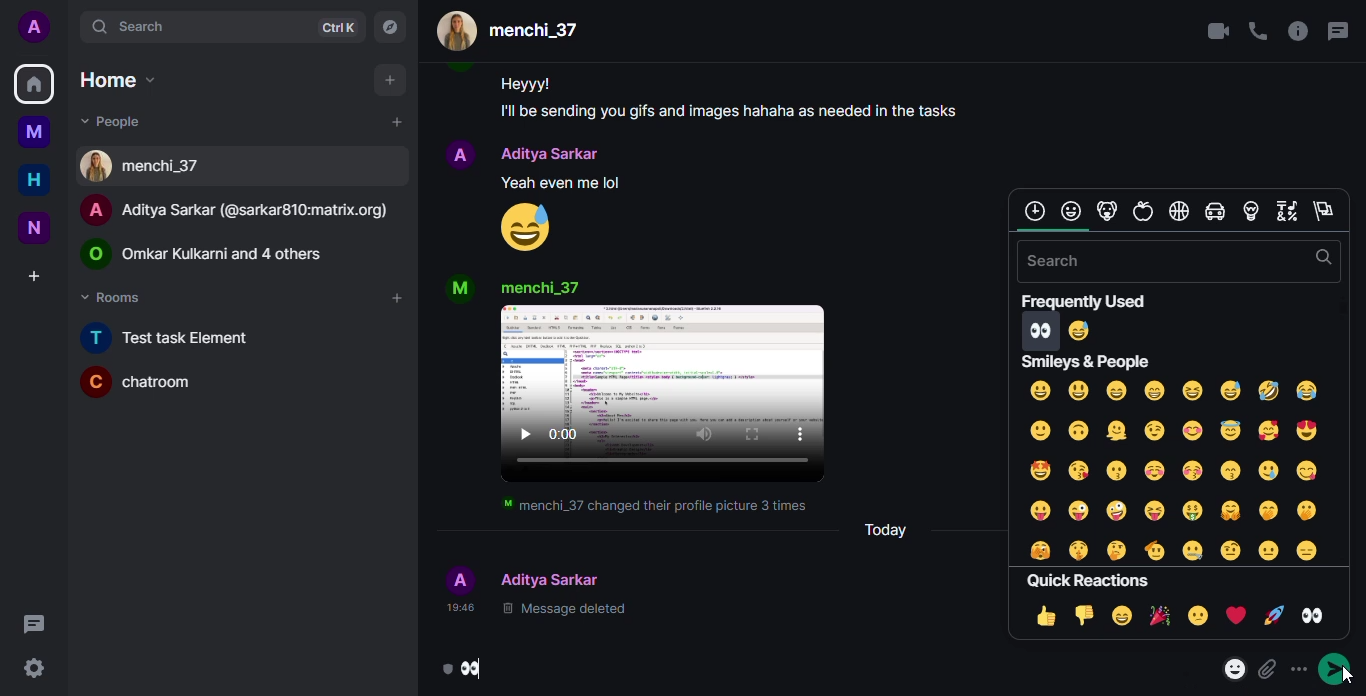 This screenshot has width=1366, height=696. Describe the element at coordinates (1033, 211) in the screenshot. I see `frequently used` at that location.